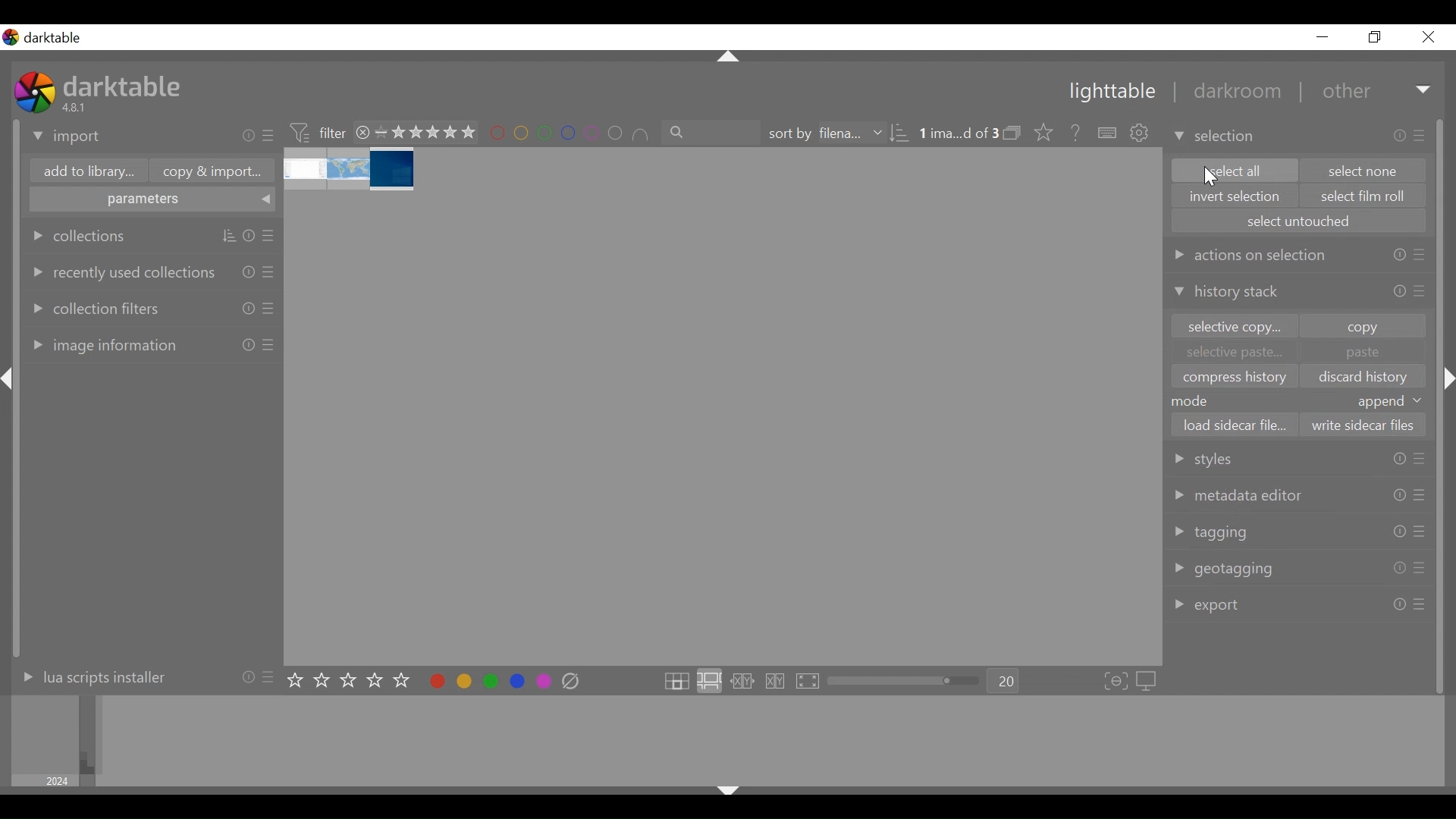 This screenshot has height=819, width=1456. I want to click on info, so click(247, 676).